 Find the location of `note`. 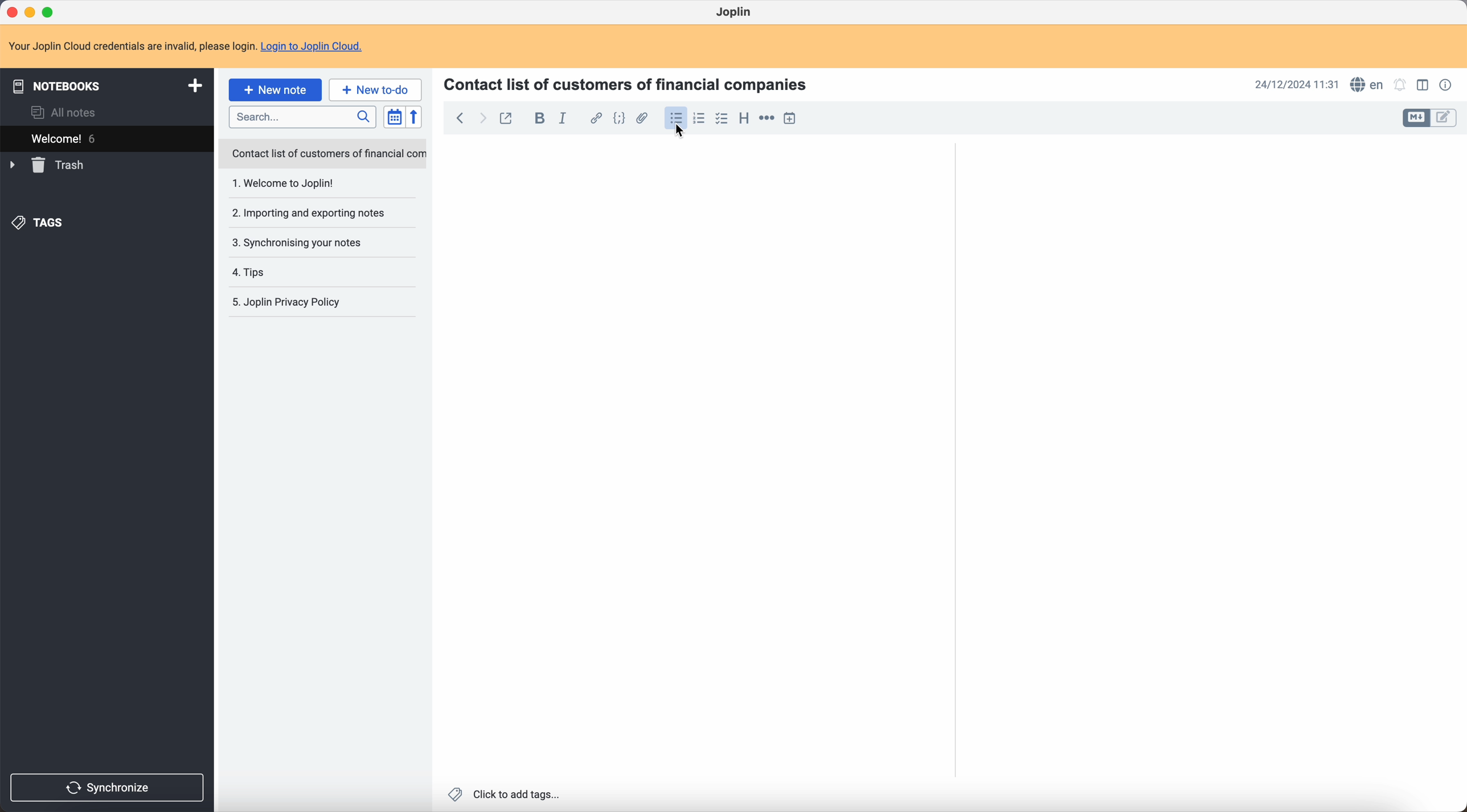

note is located at coordinates (185, 44).